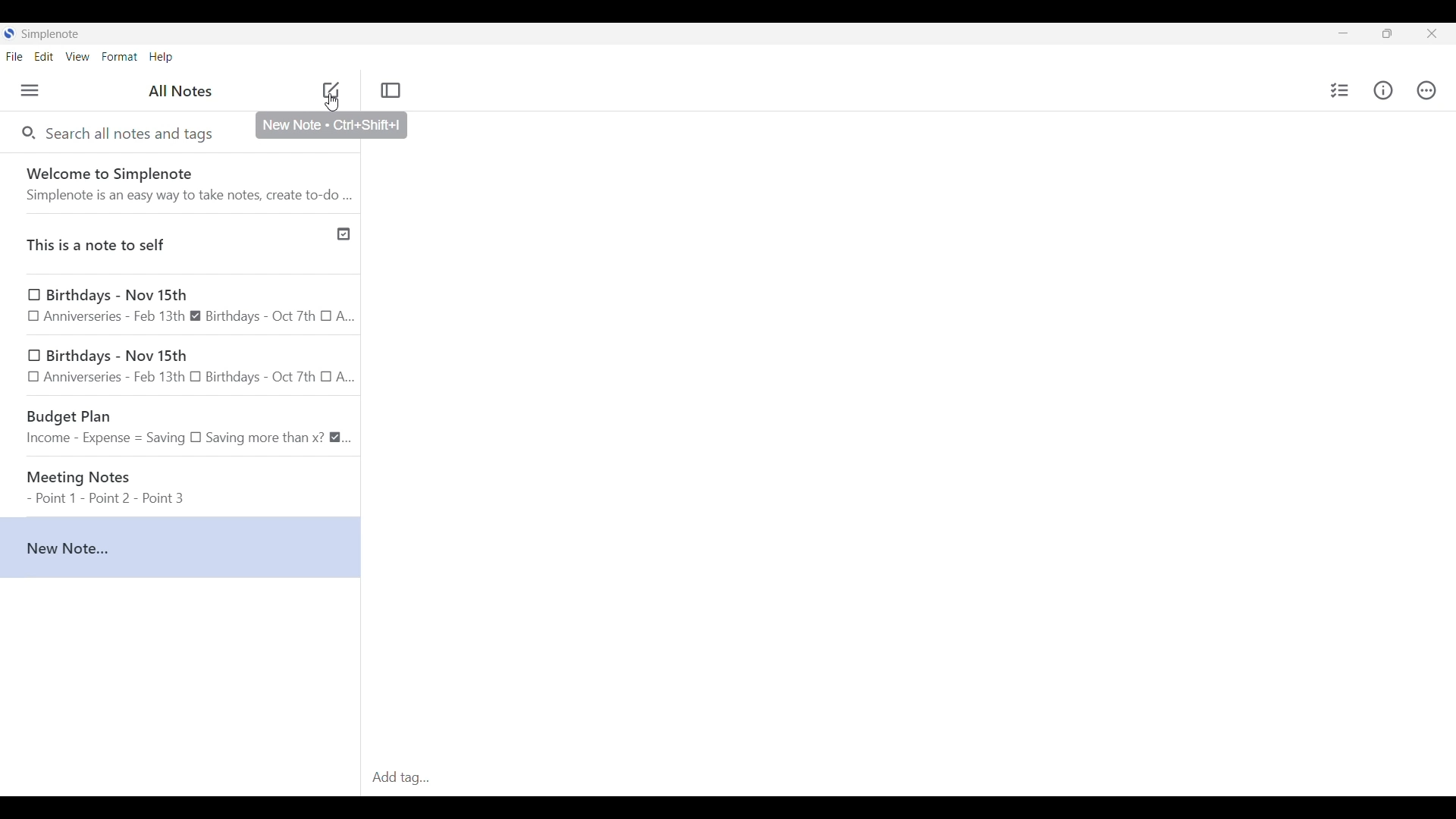 The image size is (1456, 819). What do you see at coordinates (1383, 90) in the screenshot?
I see `Info` at bounding box center [1383, 90].